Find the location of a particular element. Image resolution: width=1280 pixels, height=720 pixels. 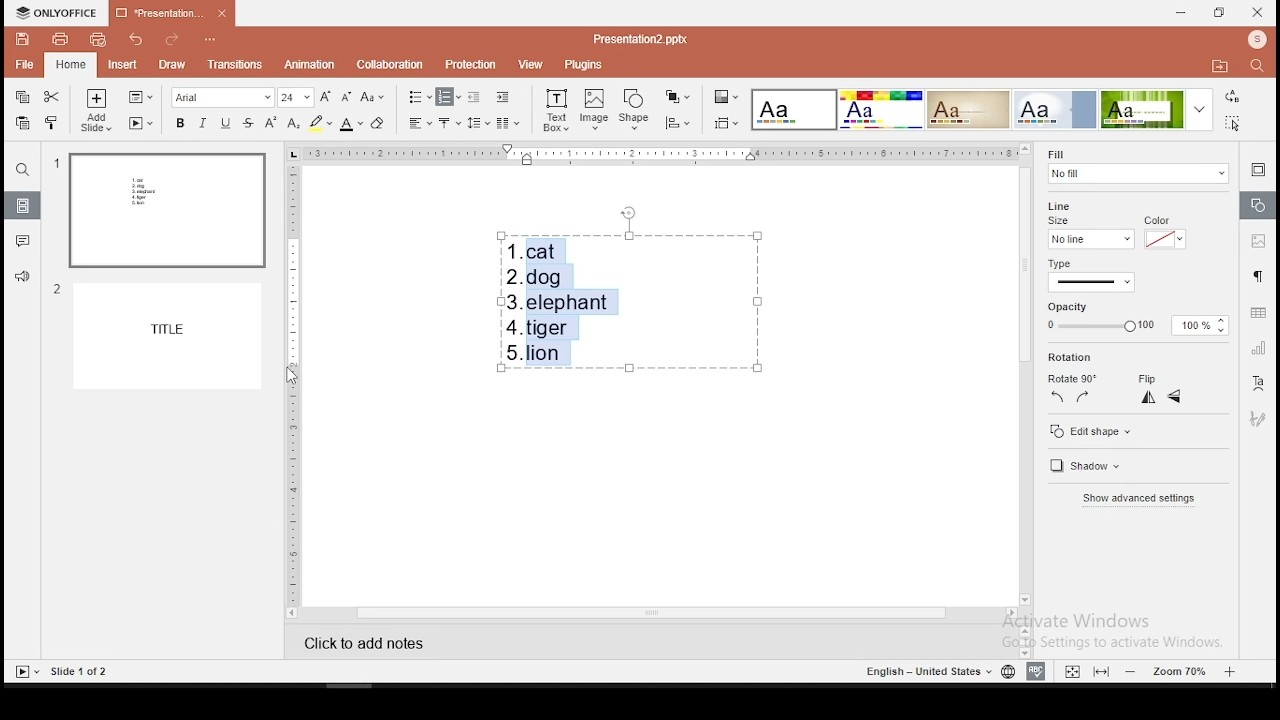

scroll bar is located at coordinates (1024, 374).